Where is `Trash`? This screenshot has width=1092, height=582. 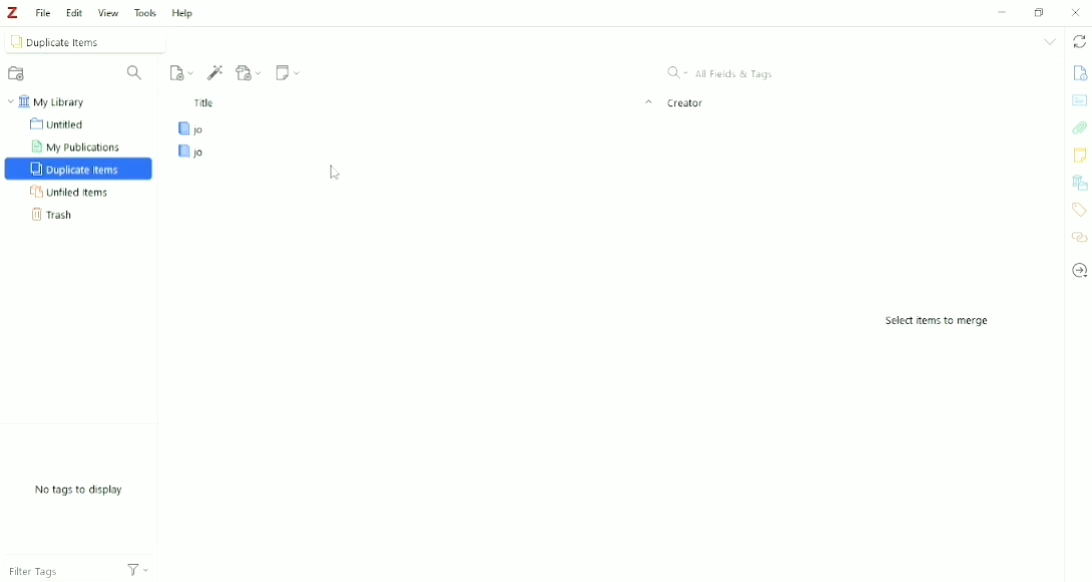
Trash is located at coordinates (53, 215).